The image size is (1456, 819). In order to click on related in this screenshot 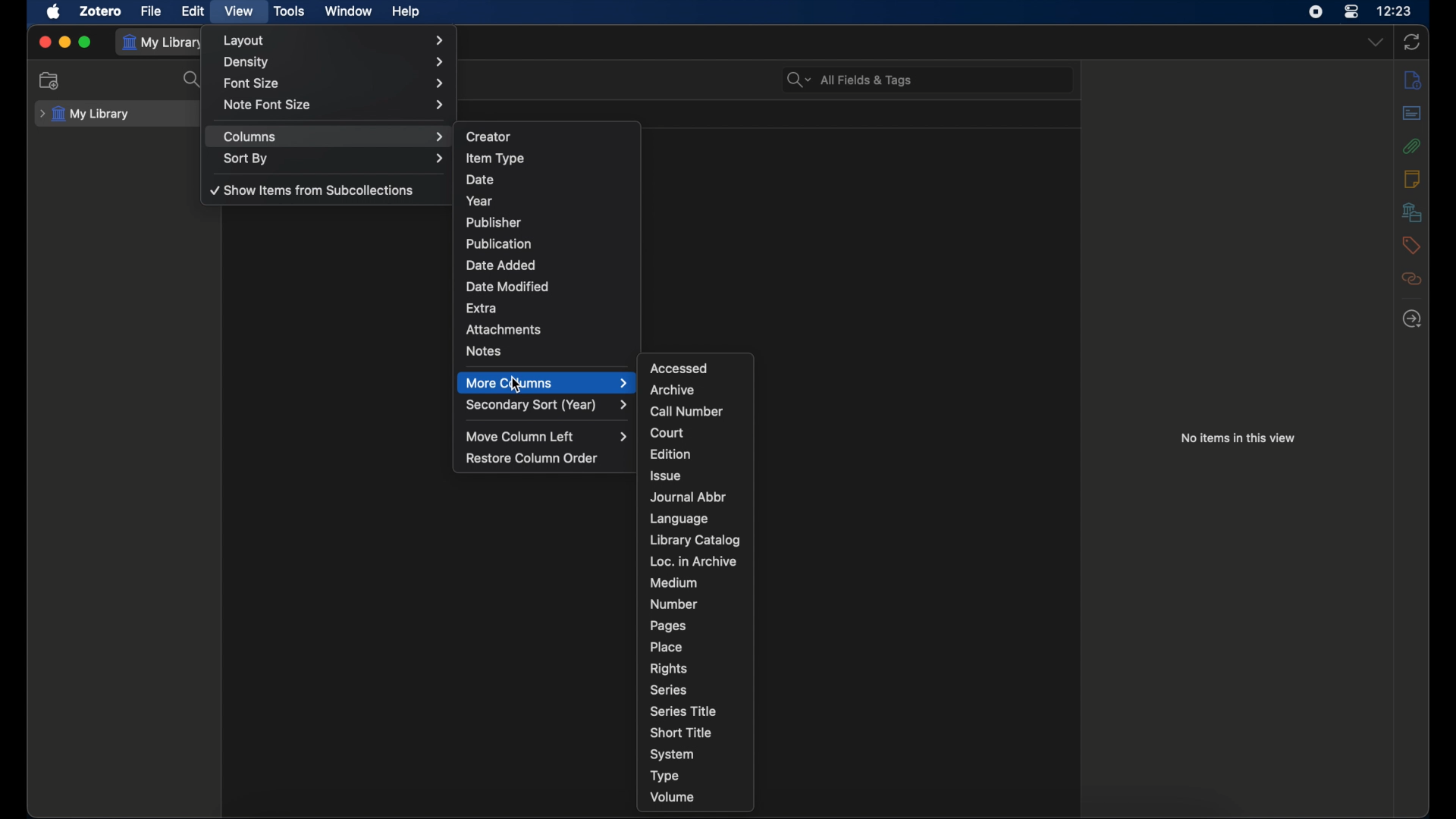, I will do `click(1412, 278)`.